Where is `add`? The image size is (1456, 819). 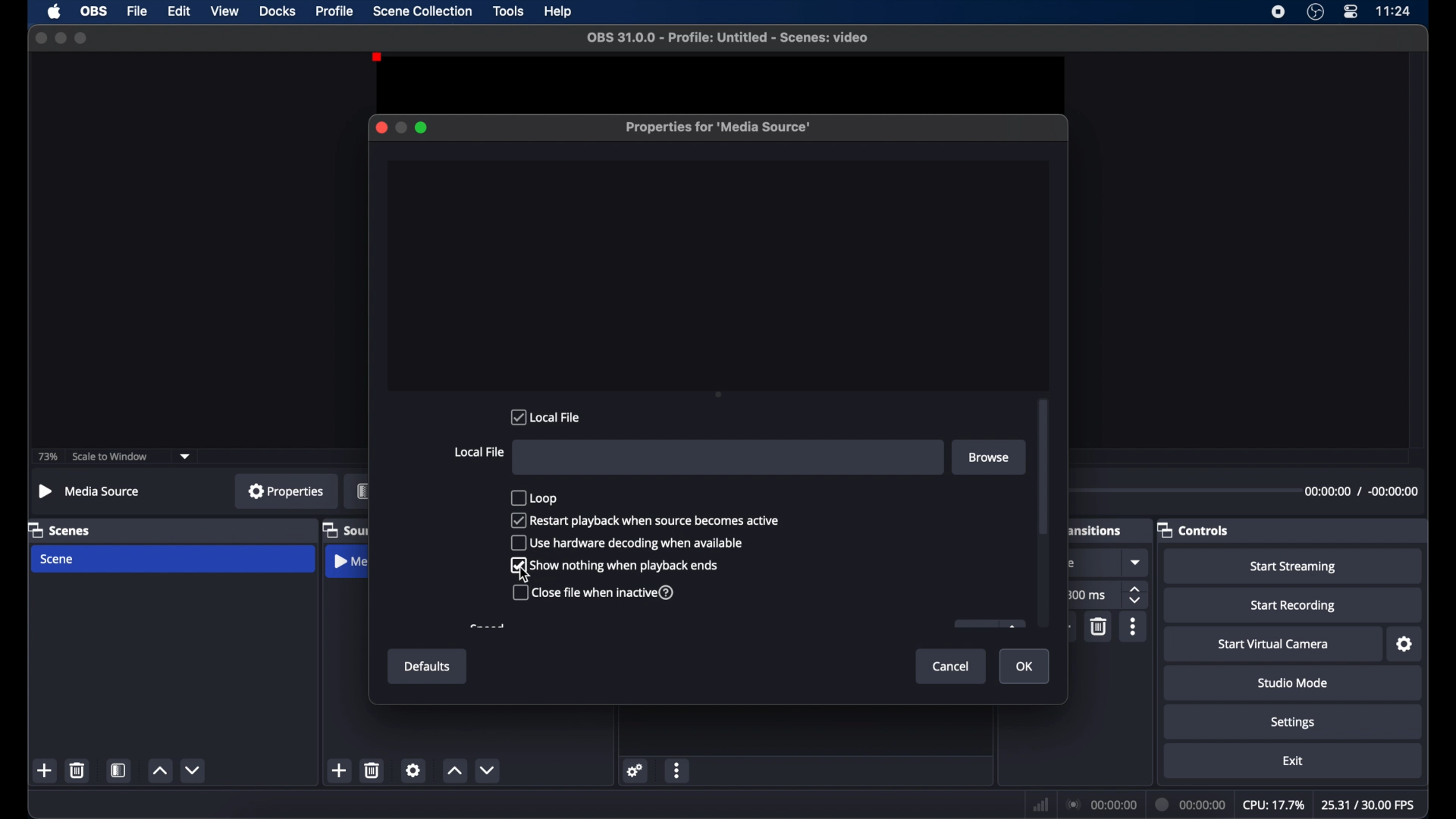 add is located at coordinates (337, 770).